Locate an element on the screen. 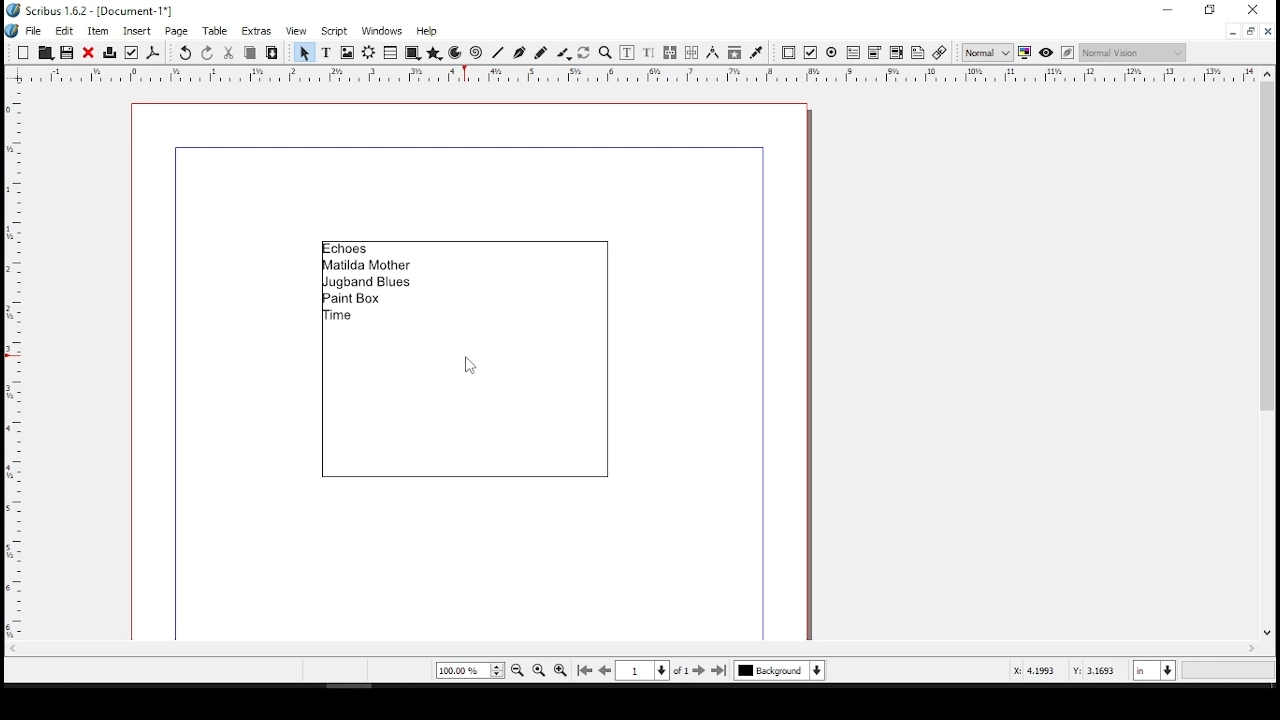 Image resolution: width=1280 pixels, height=720 pixels. horizontal scale is located at coordinates (650, 73).